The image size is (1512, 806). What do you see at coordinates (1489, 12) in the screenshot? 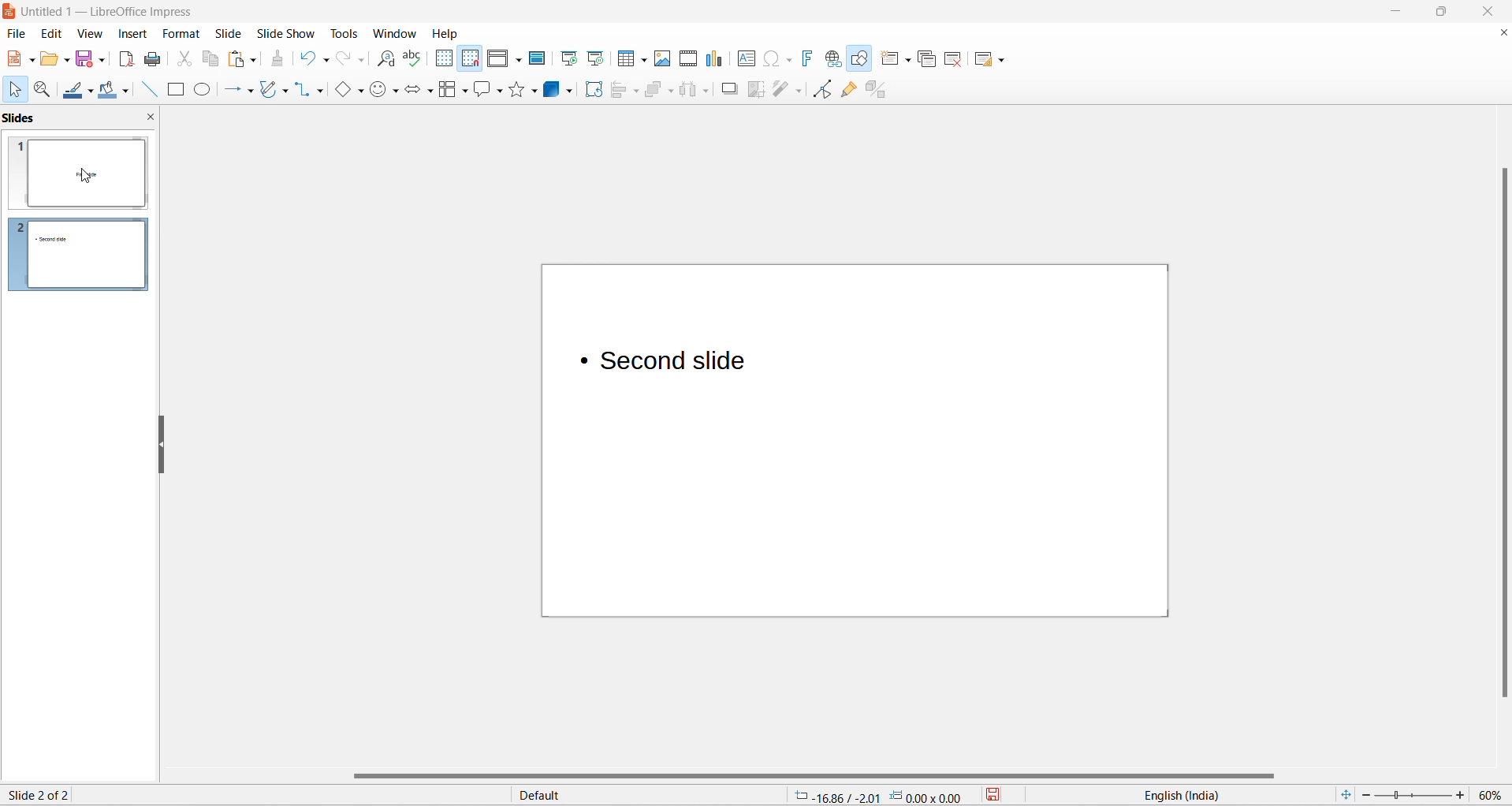
I see `close` at bounding box center [1489, 12].